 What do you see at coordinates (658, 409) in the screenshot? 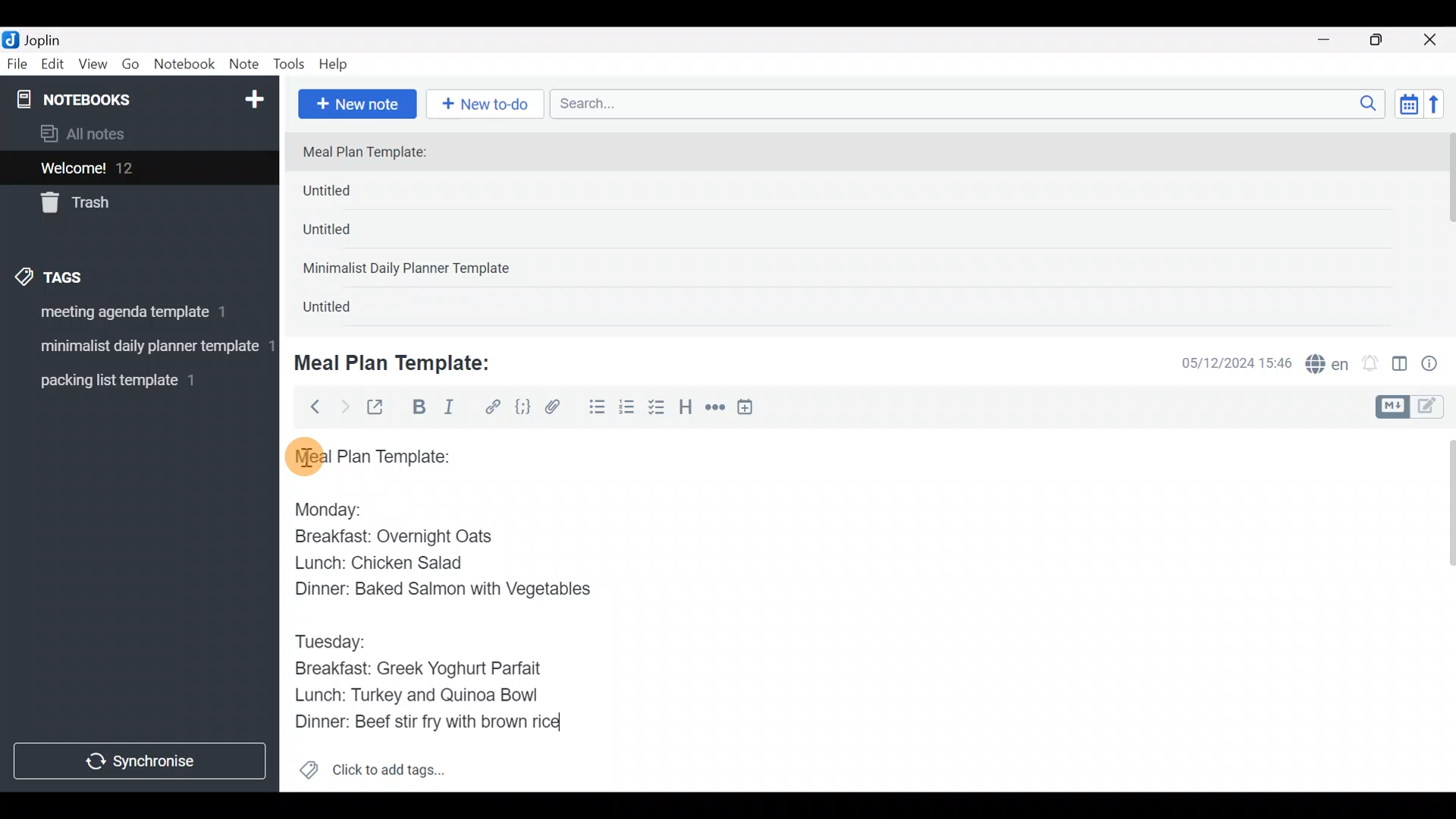
I see `Checkbox` at bounding box center [658, 409].